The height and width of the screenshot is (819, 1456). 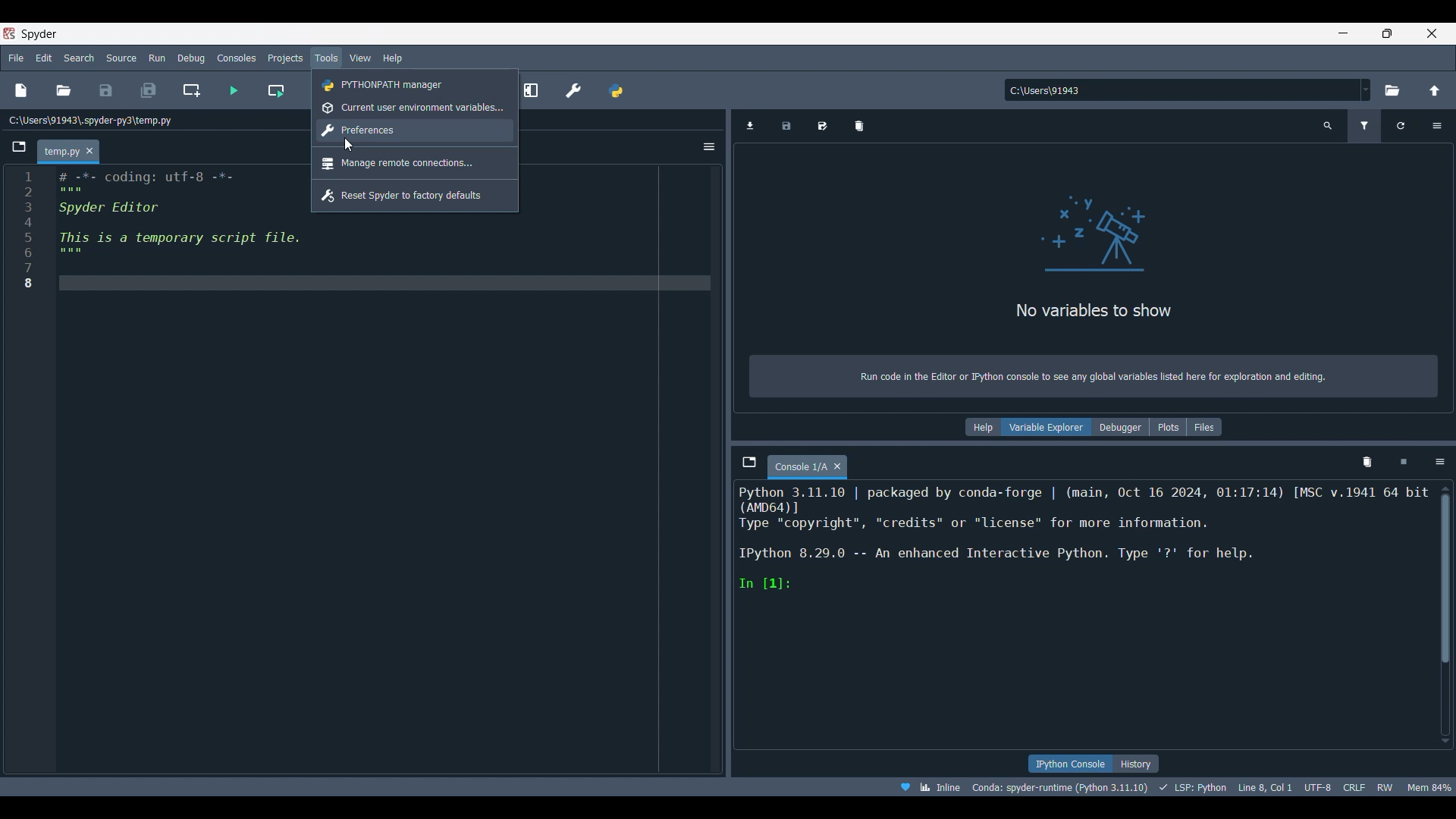 I want to click on Current code, so click(x=156, y=234).